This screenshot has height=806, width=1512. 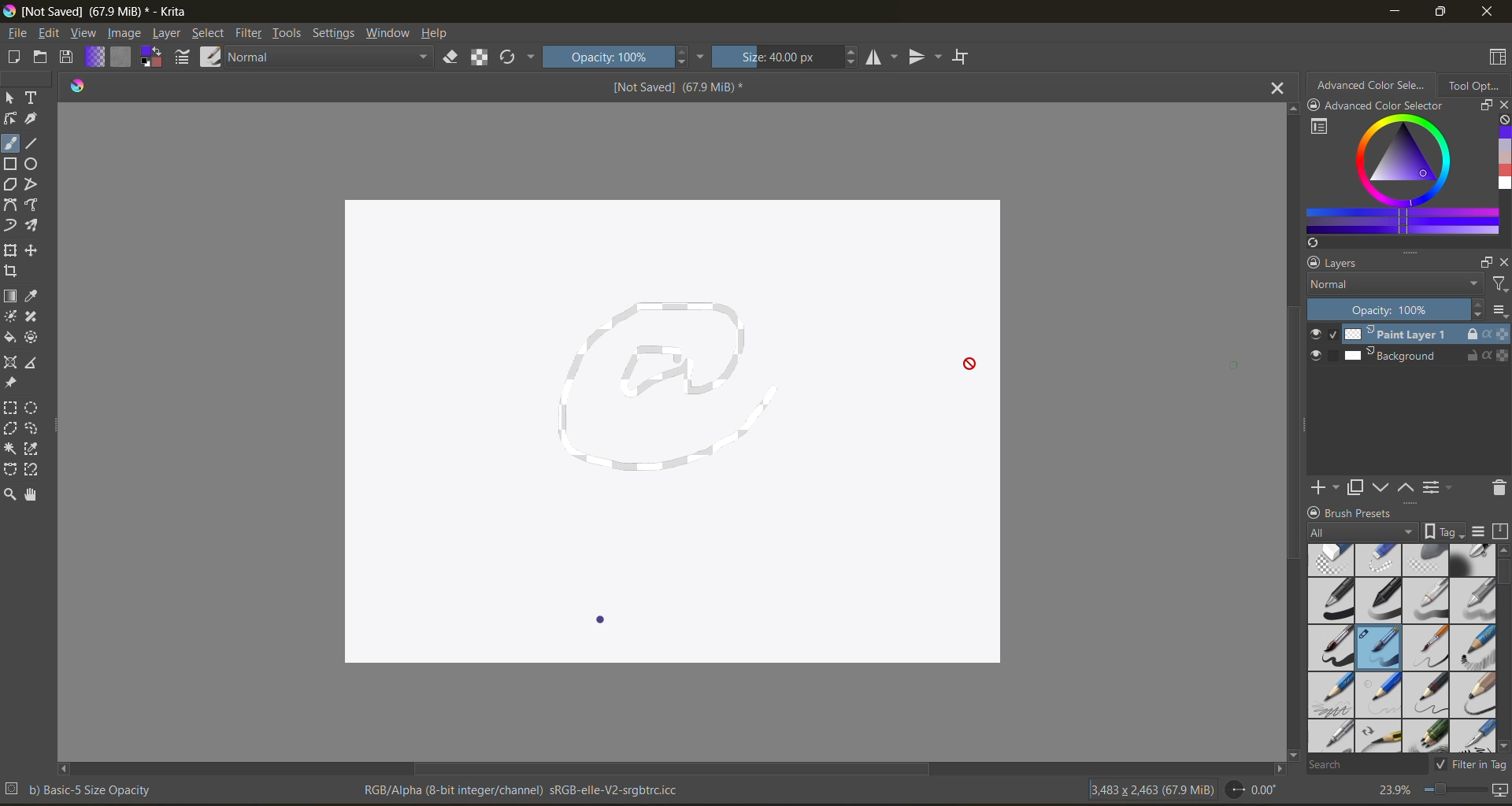 What do you see at coordinates (33, 295) in the screenshot?
I see `sample color` at bounding box center [33, 295].